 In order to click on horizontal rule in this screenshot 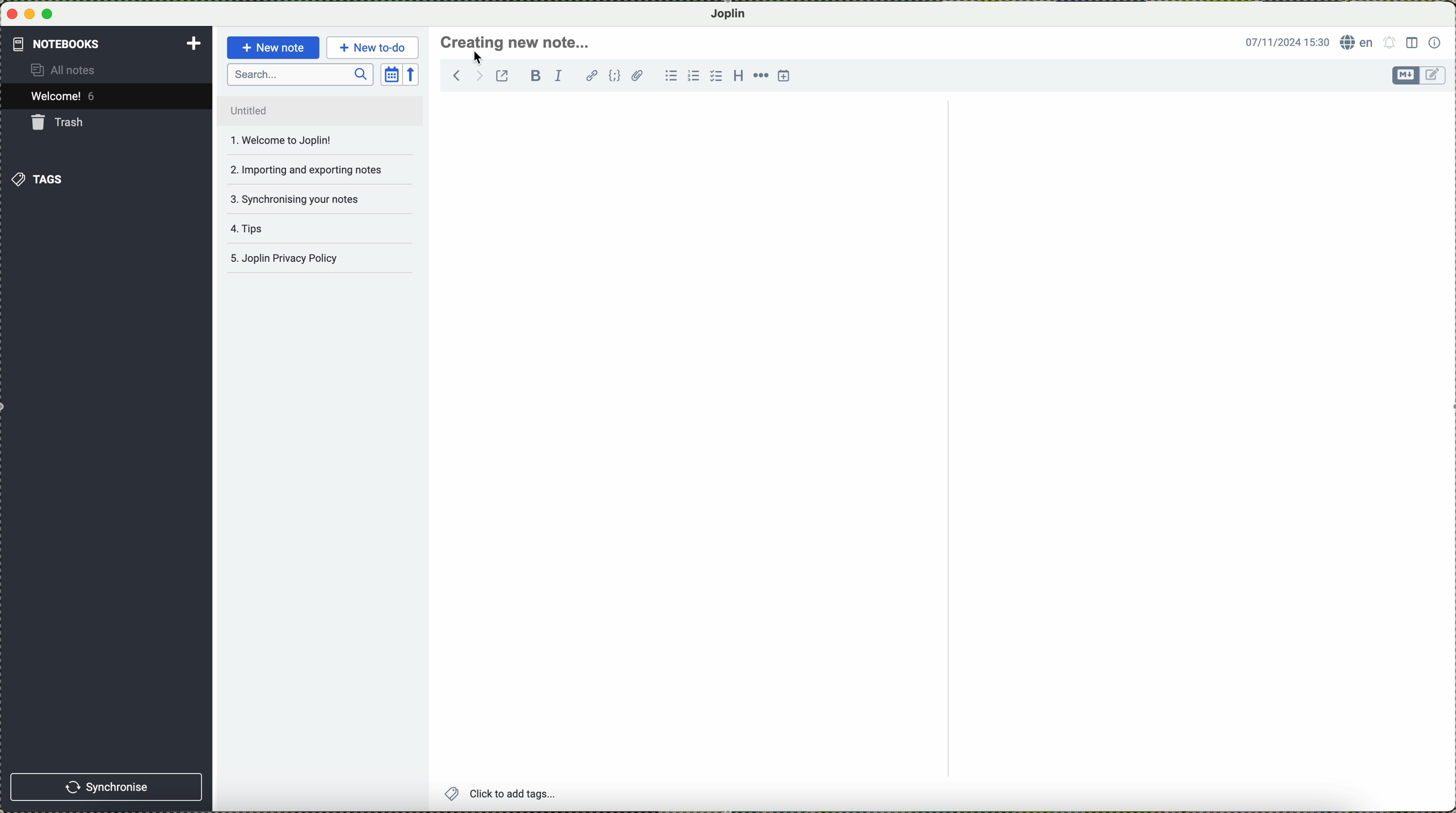, I will do `click(760, 75)`.